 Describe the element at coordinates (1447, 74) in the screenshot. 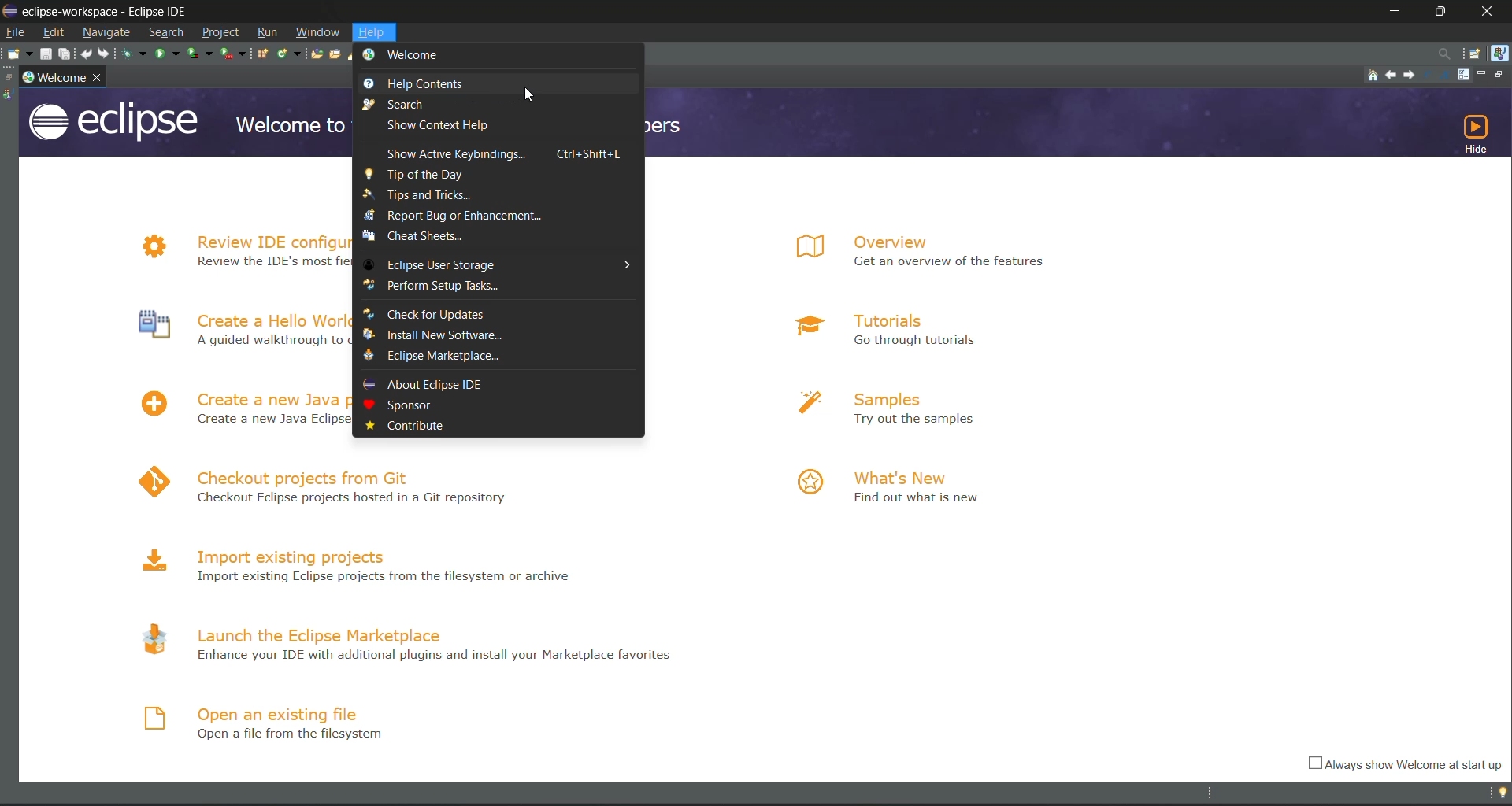

I see `magnify` at that location.